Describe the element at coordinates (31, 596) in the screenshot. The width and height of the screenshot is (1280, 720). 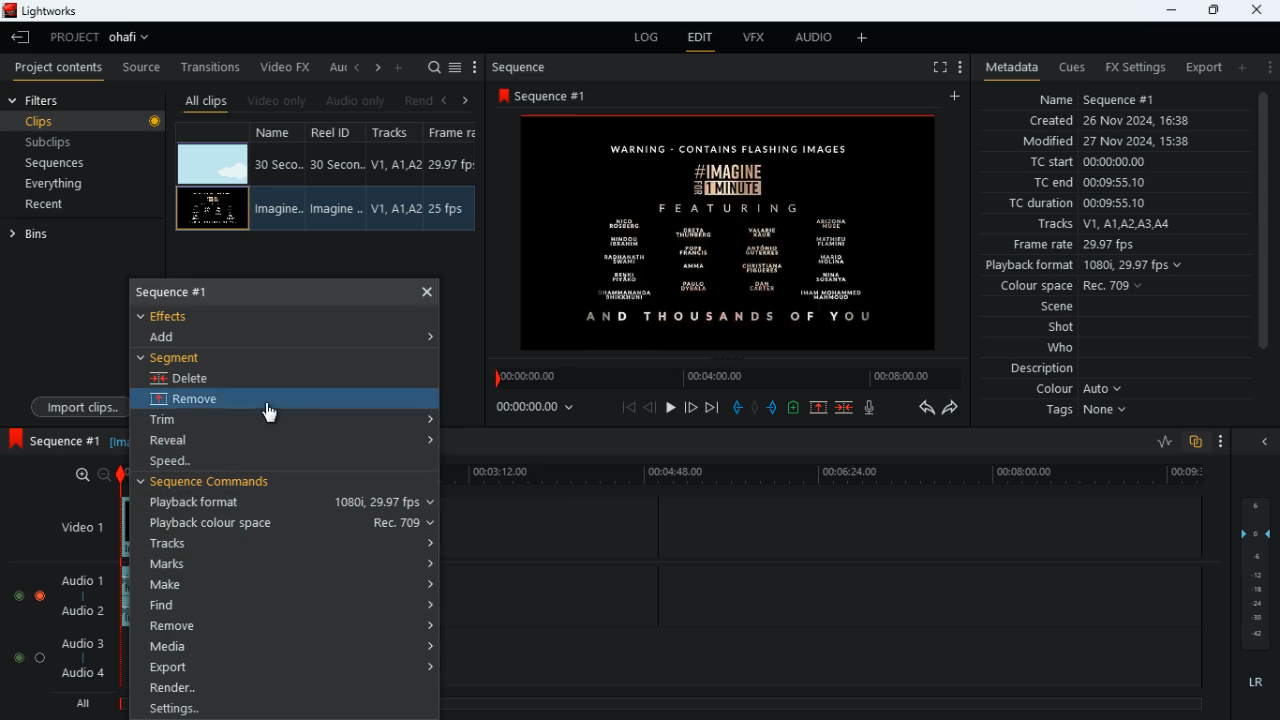
I see `audio selection buttons` at that location.